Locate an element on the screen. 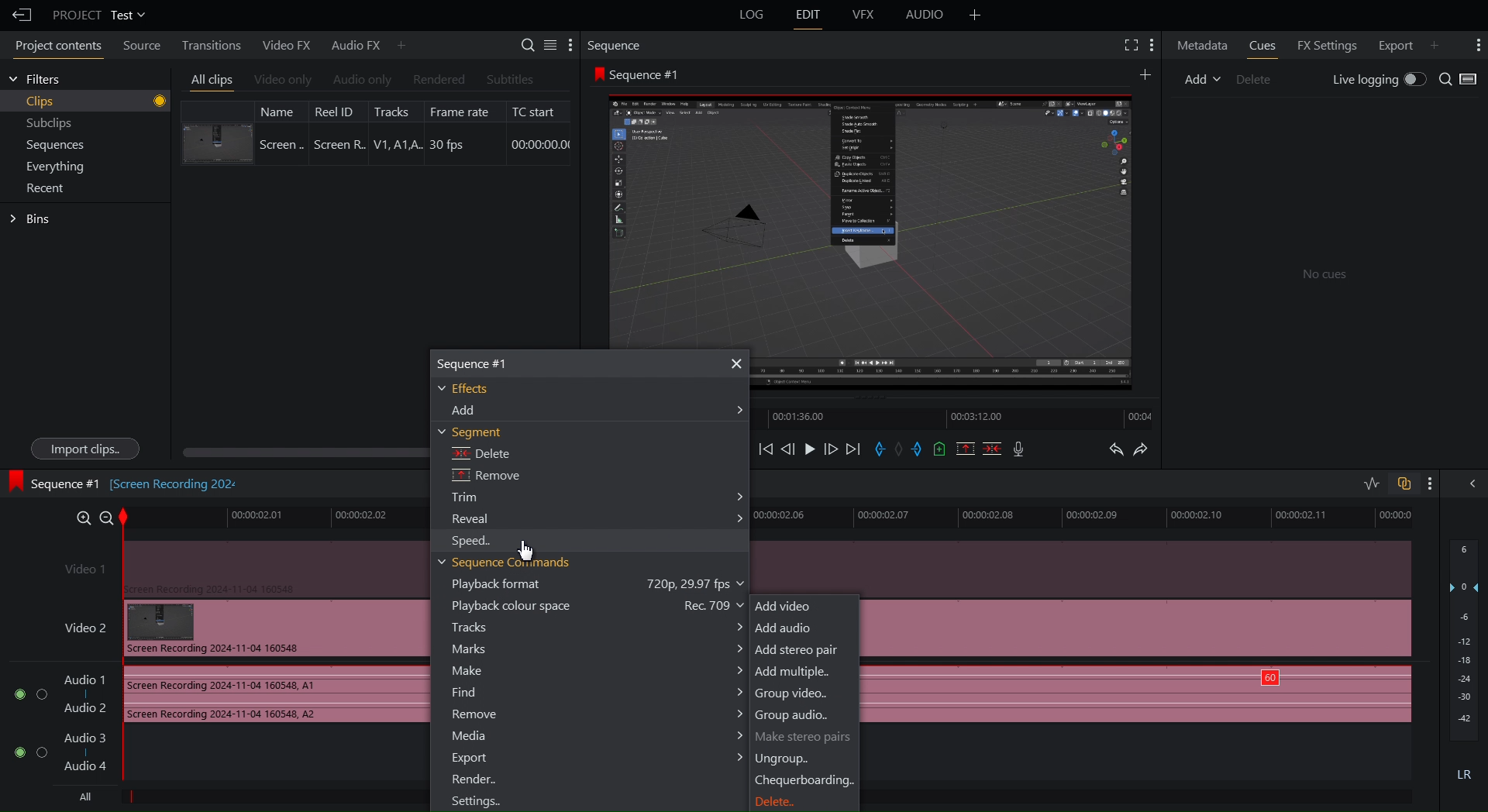 This screenshot has height=812, width=1488. Sequence is located at coordinates (619, 45).